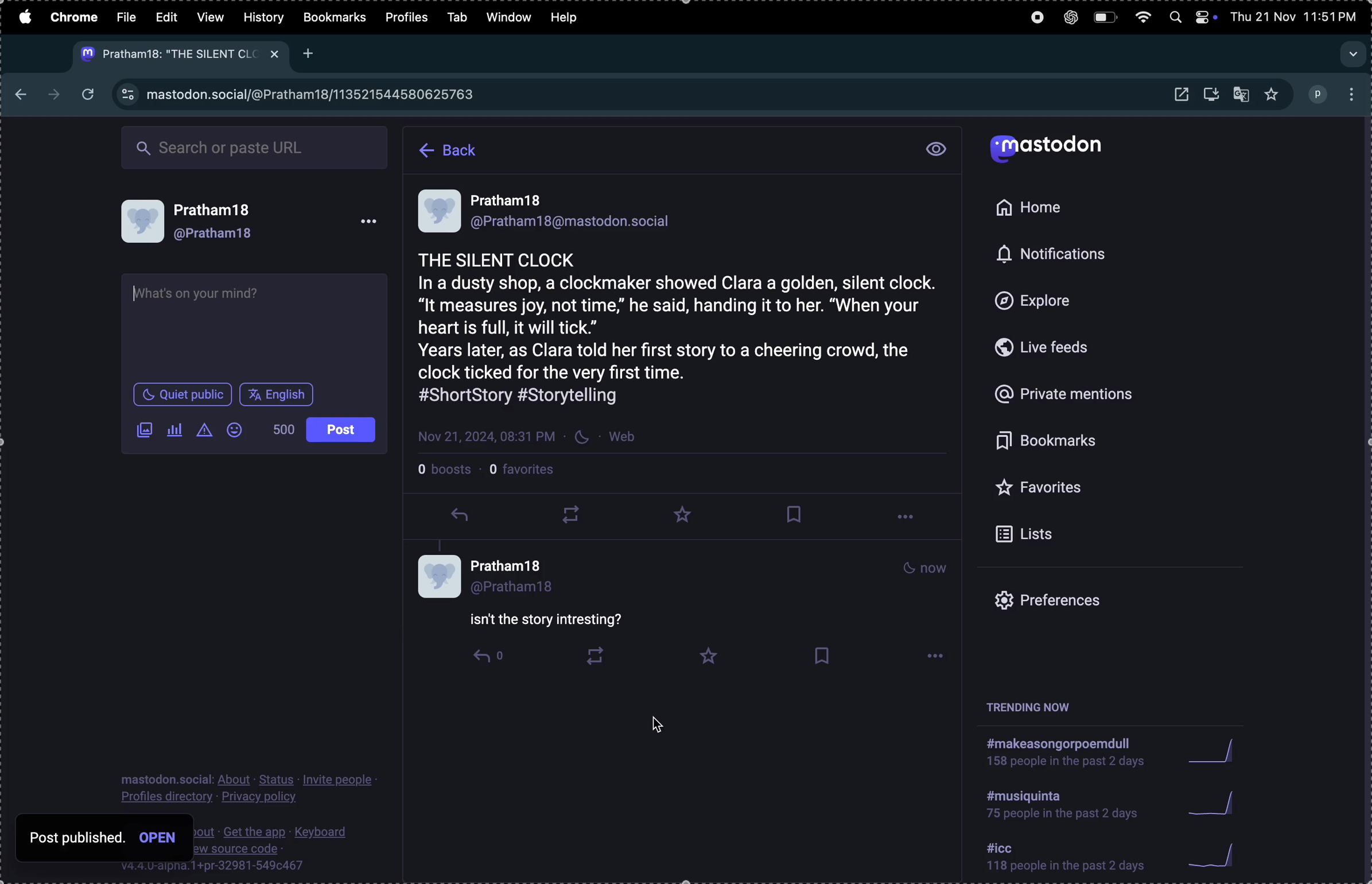 The height and width of the screenshot is (884, 1372). What do you see at coordinates (17, 90) in the screenshot?
I see `backward` at bounding box center [17, 90].